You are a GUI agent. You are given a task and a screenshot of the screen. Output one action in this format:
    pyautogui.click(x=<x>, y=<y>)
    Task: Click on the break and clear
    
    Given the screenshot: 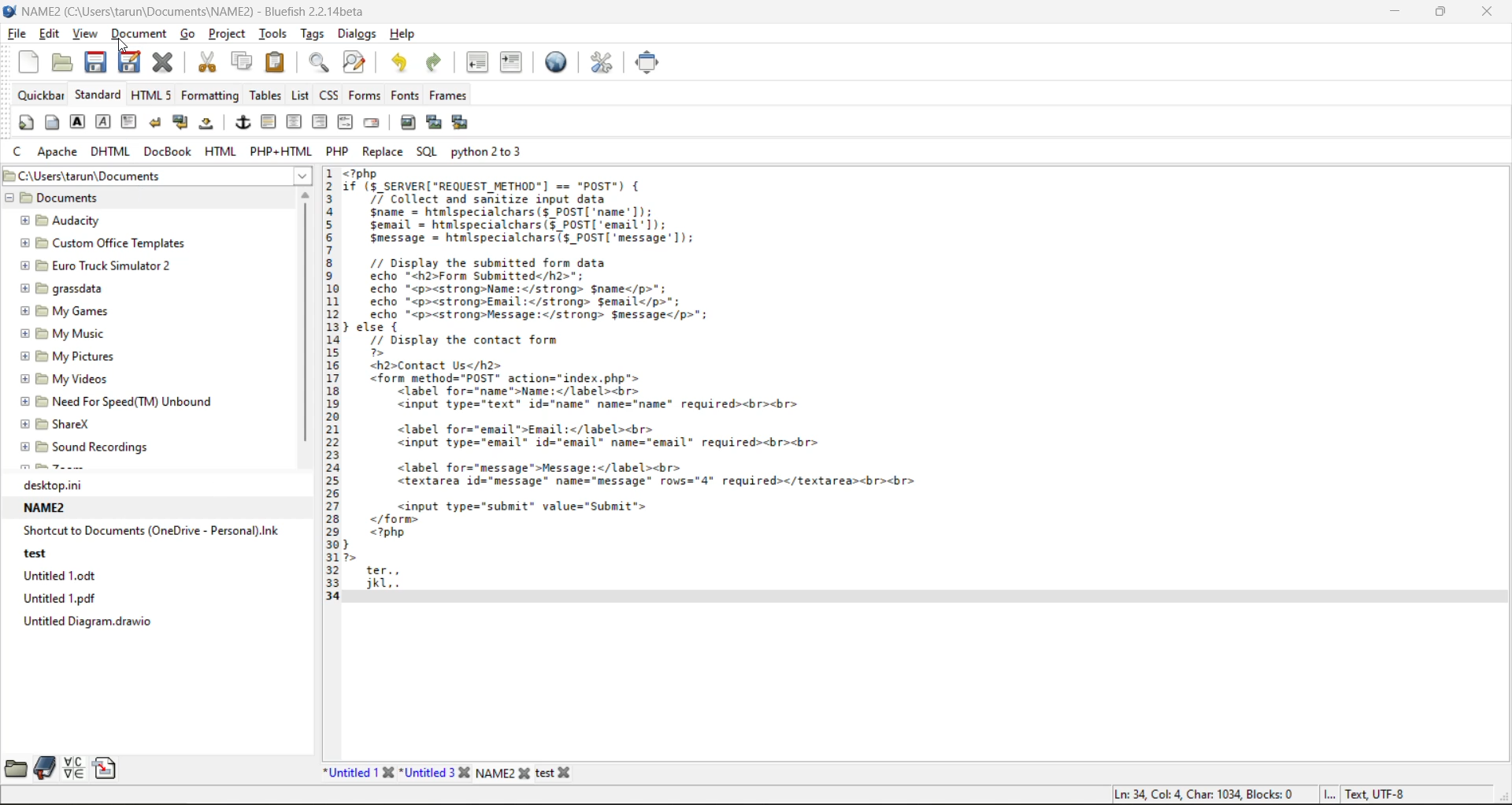 What is the action you would take?
    pyautogui.click(x=183, y=124)
    